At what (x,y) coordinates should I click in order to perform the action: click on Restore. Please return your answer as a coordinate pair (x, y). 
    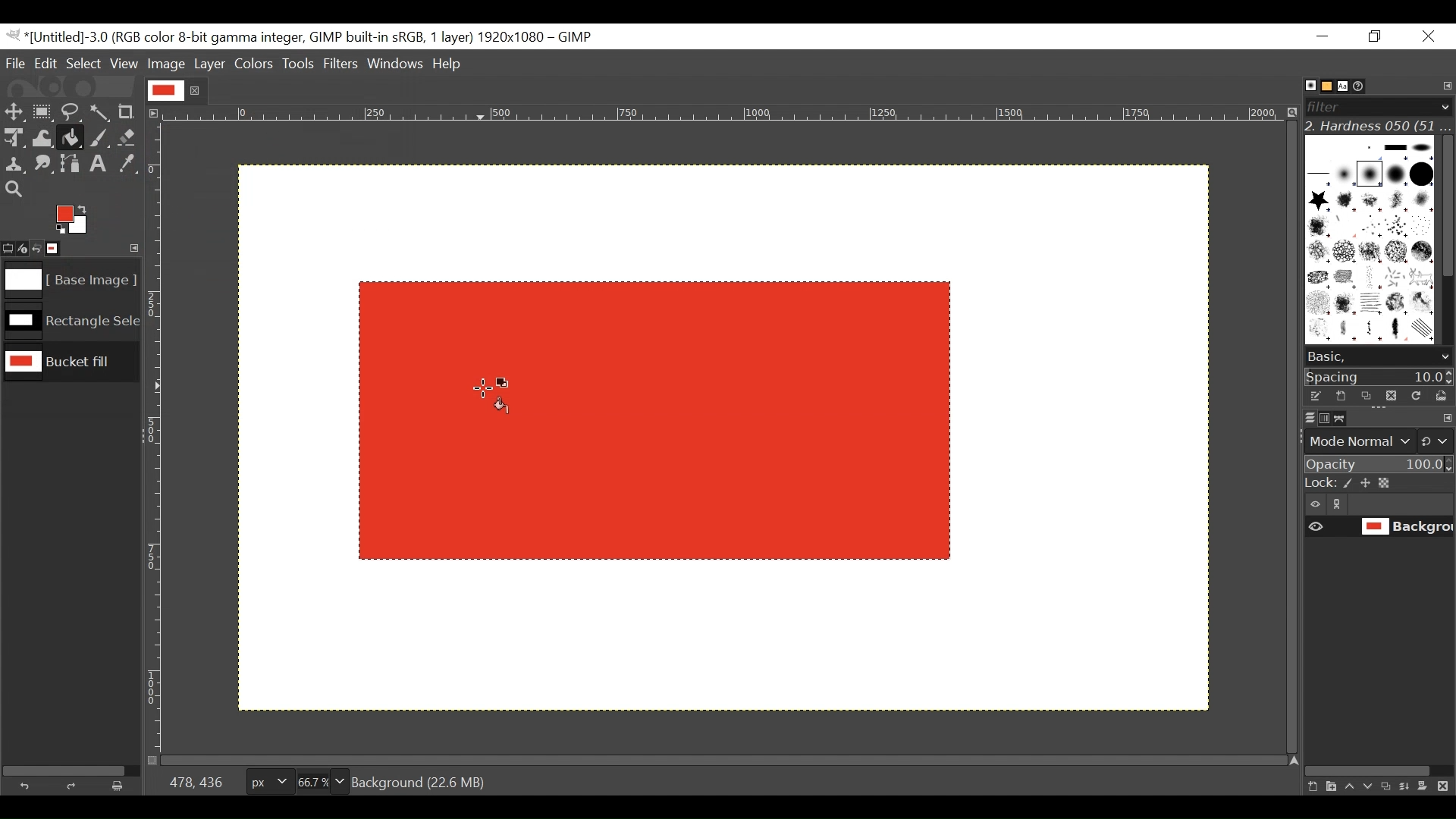
    Looking at the image, I should click on (1378, 37).